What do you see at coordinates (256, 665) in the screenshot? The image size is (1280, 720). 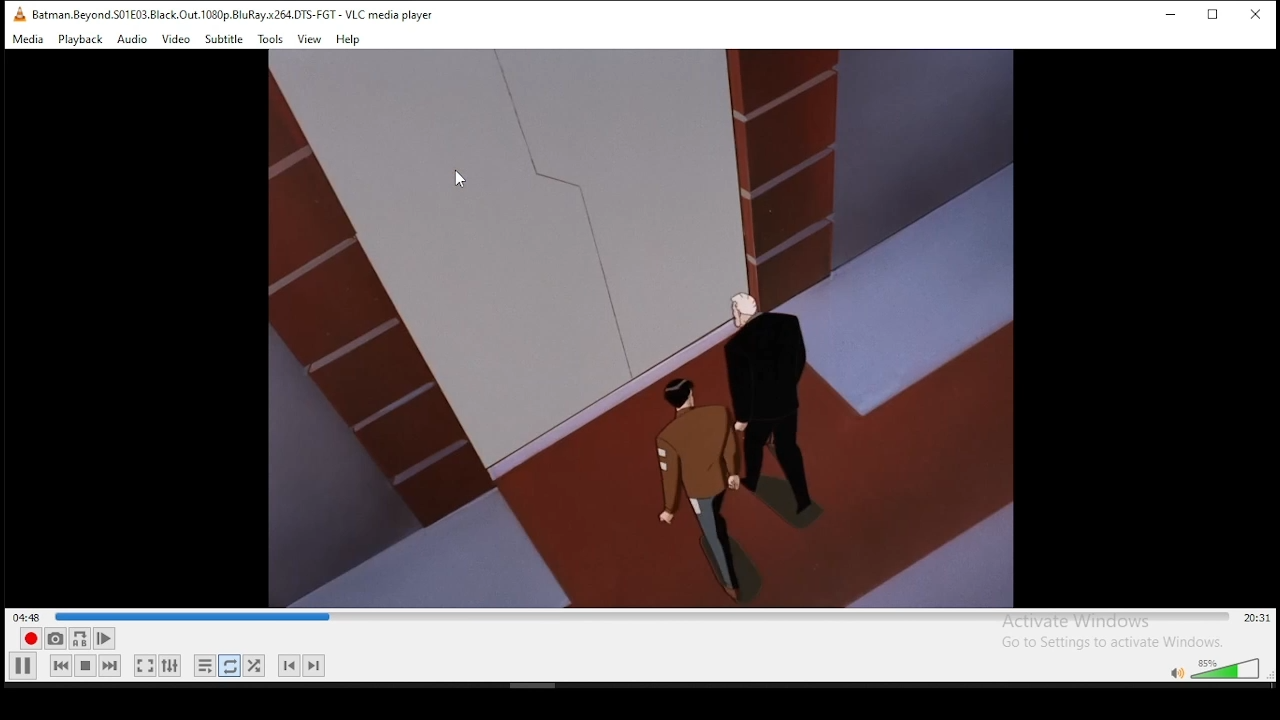 I see `shuffle` at bounding box center [256, 665].